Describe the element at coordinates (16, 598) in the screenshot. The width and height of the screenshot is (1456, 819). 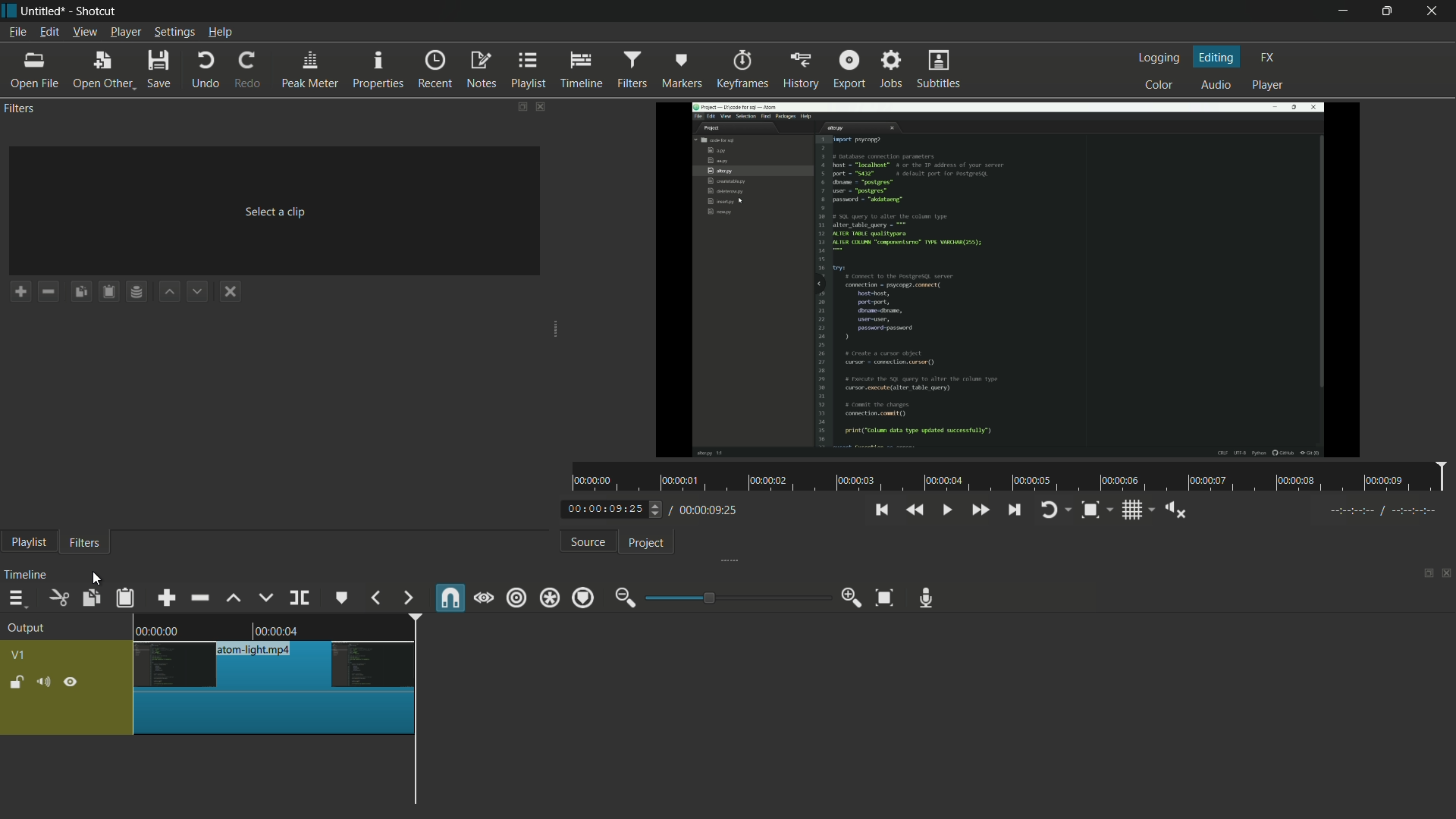
I see `timeline menu` at that location.